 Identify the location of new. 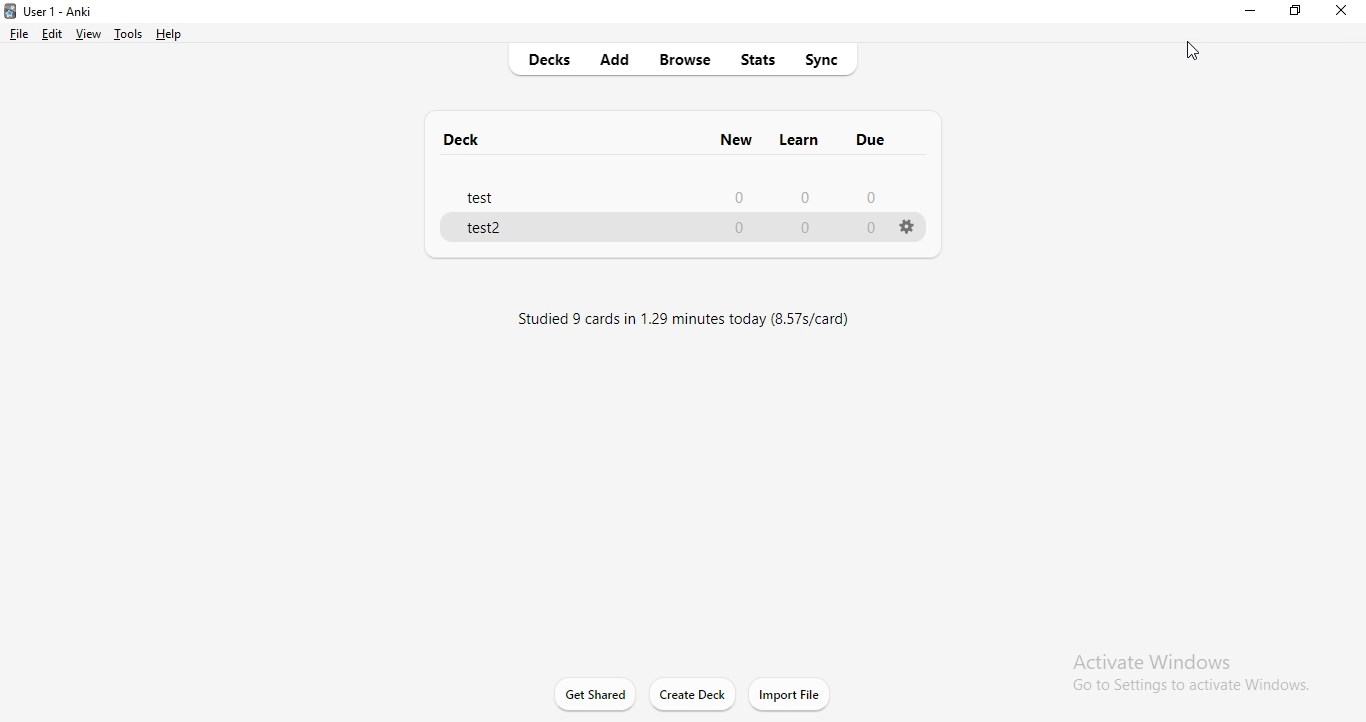
(735, 141).